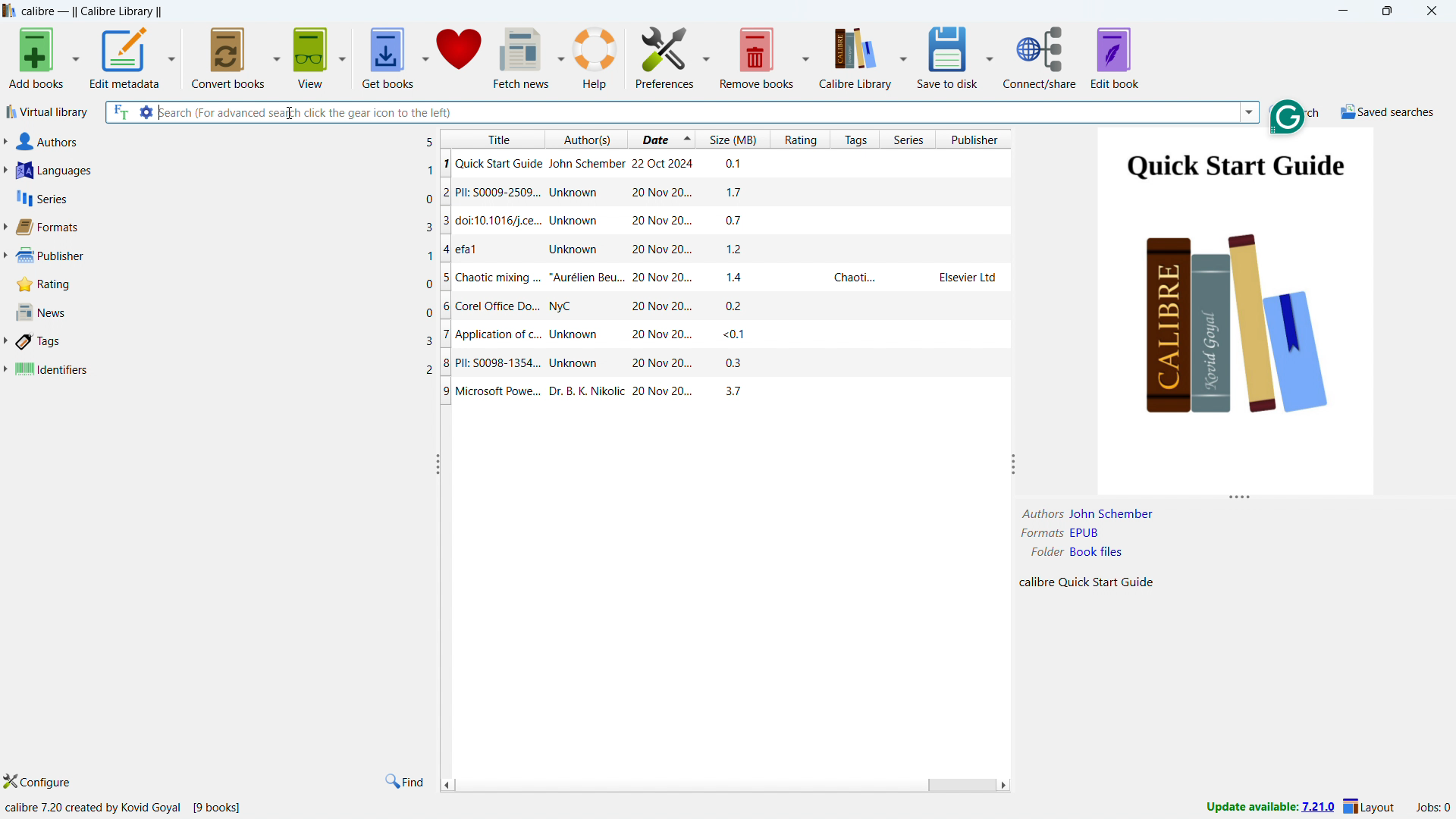 This screenshot has height=819, width=1456. I want to click on expand identifiers, so click(5, 369).